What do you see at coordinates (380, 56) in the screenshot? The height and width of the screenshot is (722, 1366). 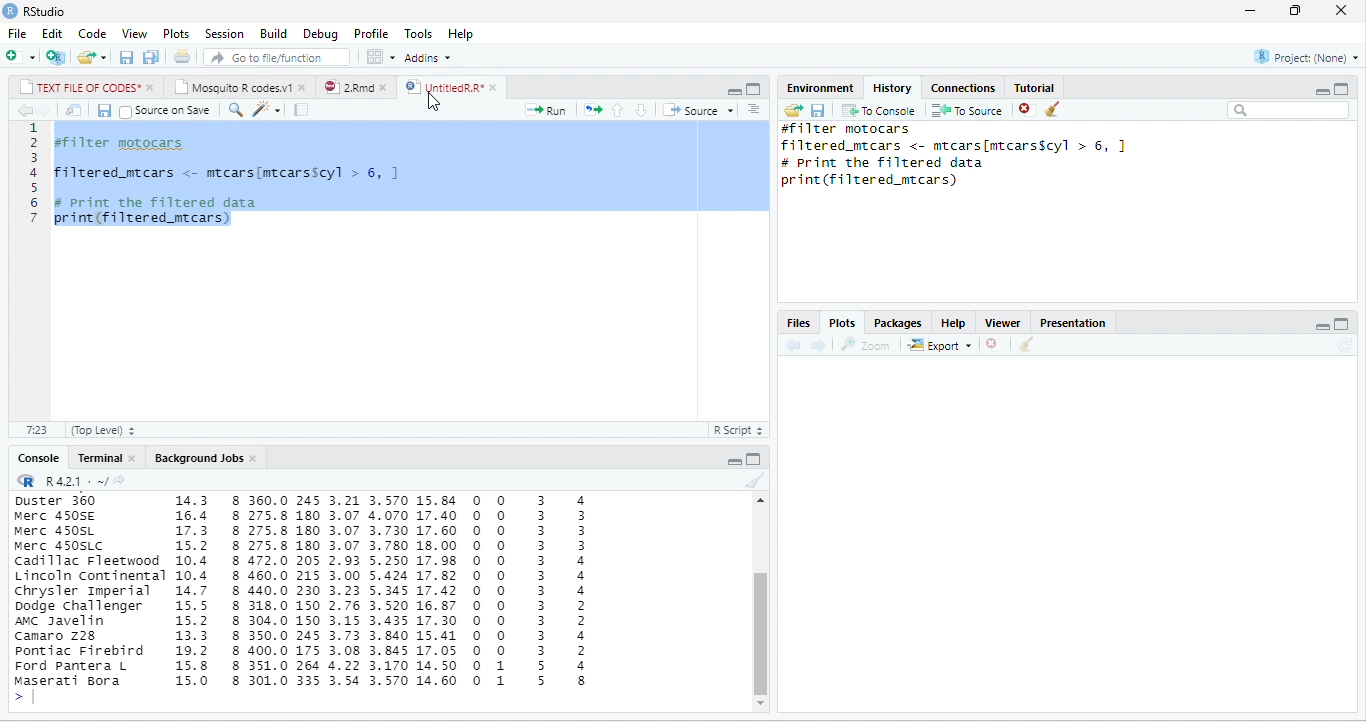 I see `options` at bounding box center [380, 56].